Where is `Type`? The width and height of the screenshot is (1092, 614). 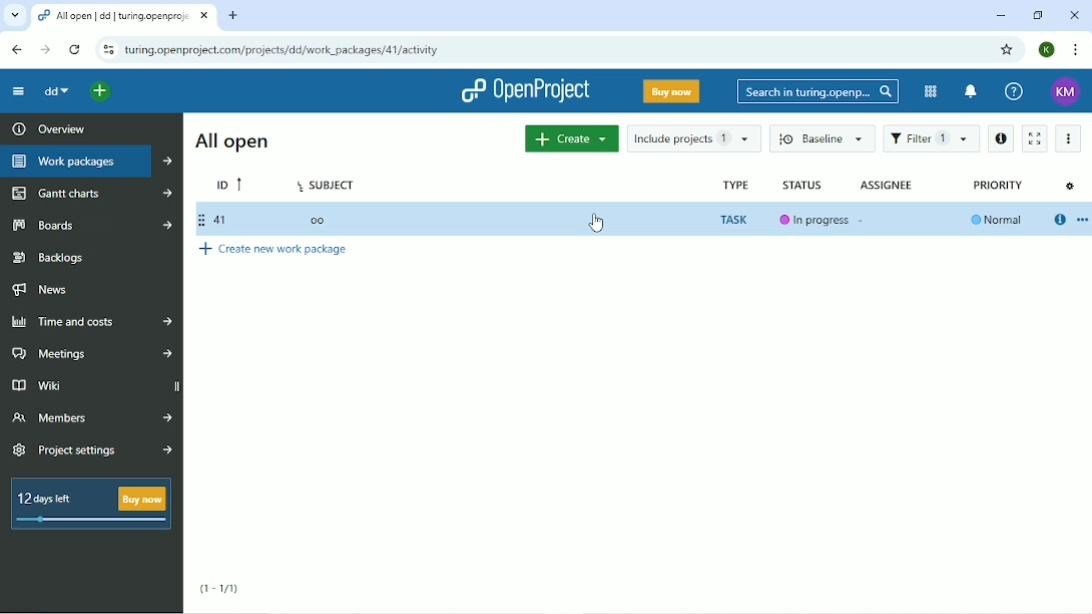
Type is located at coordinates (734, 184).